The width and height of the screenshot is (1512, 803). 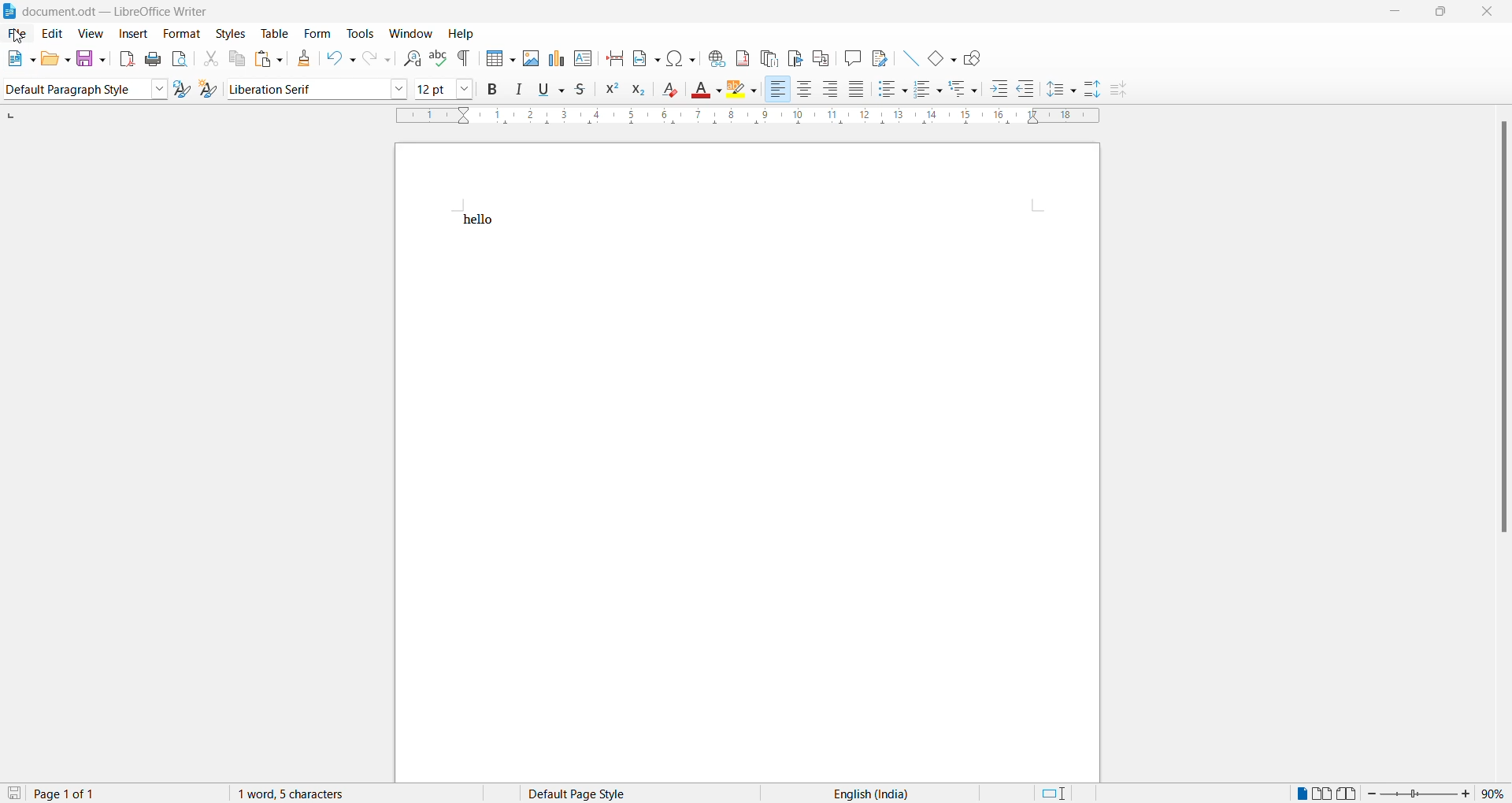 I want to click on Copy, so click(x=235, y=59).